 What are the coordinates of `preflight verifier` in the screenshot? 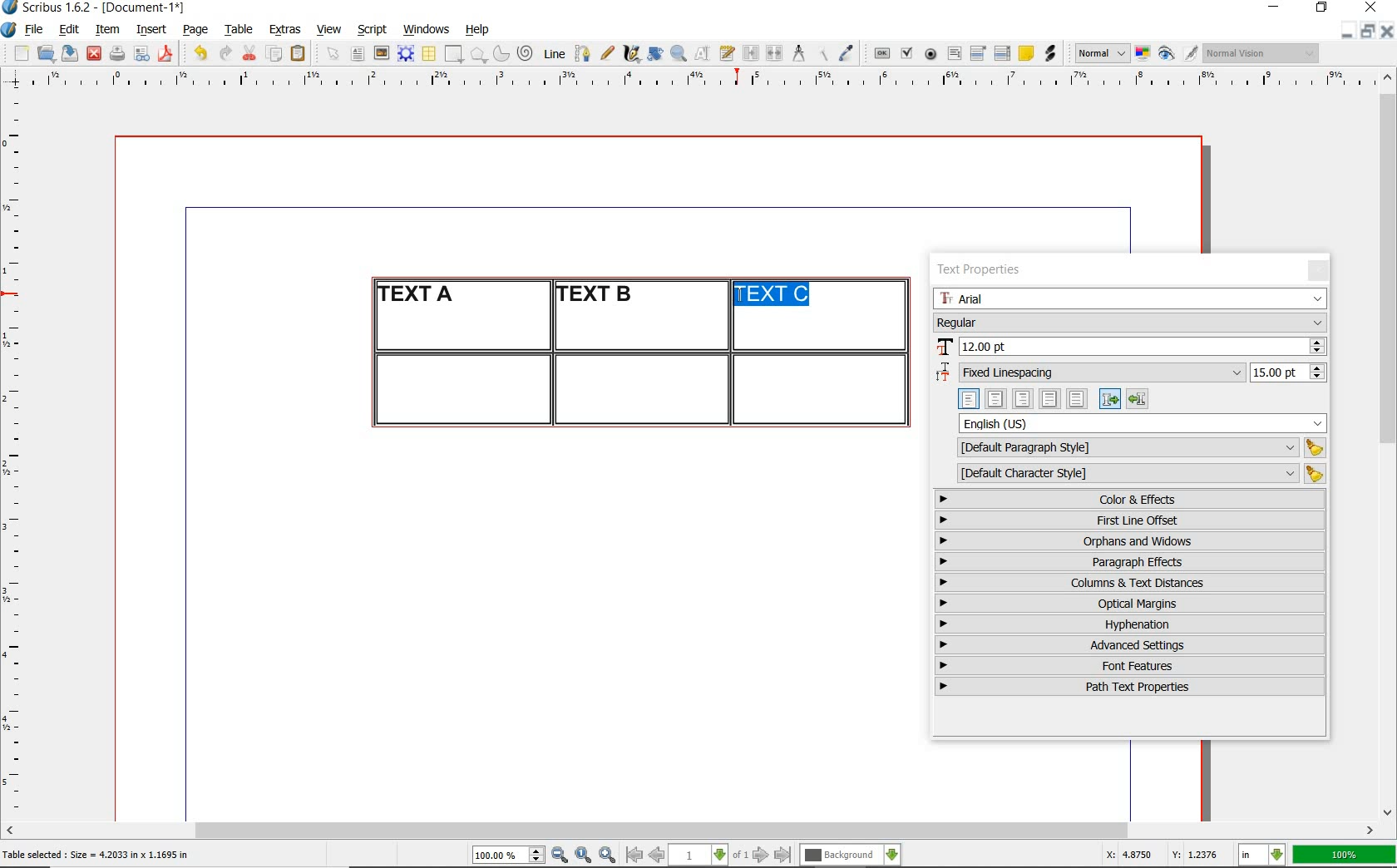 It's located at (142, 55).